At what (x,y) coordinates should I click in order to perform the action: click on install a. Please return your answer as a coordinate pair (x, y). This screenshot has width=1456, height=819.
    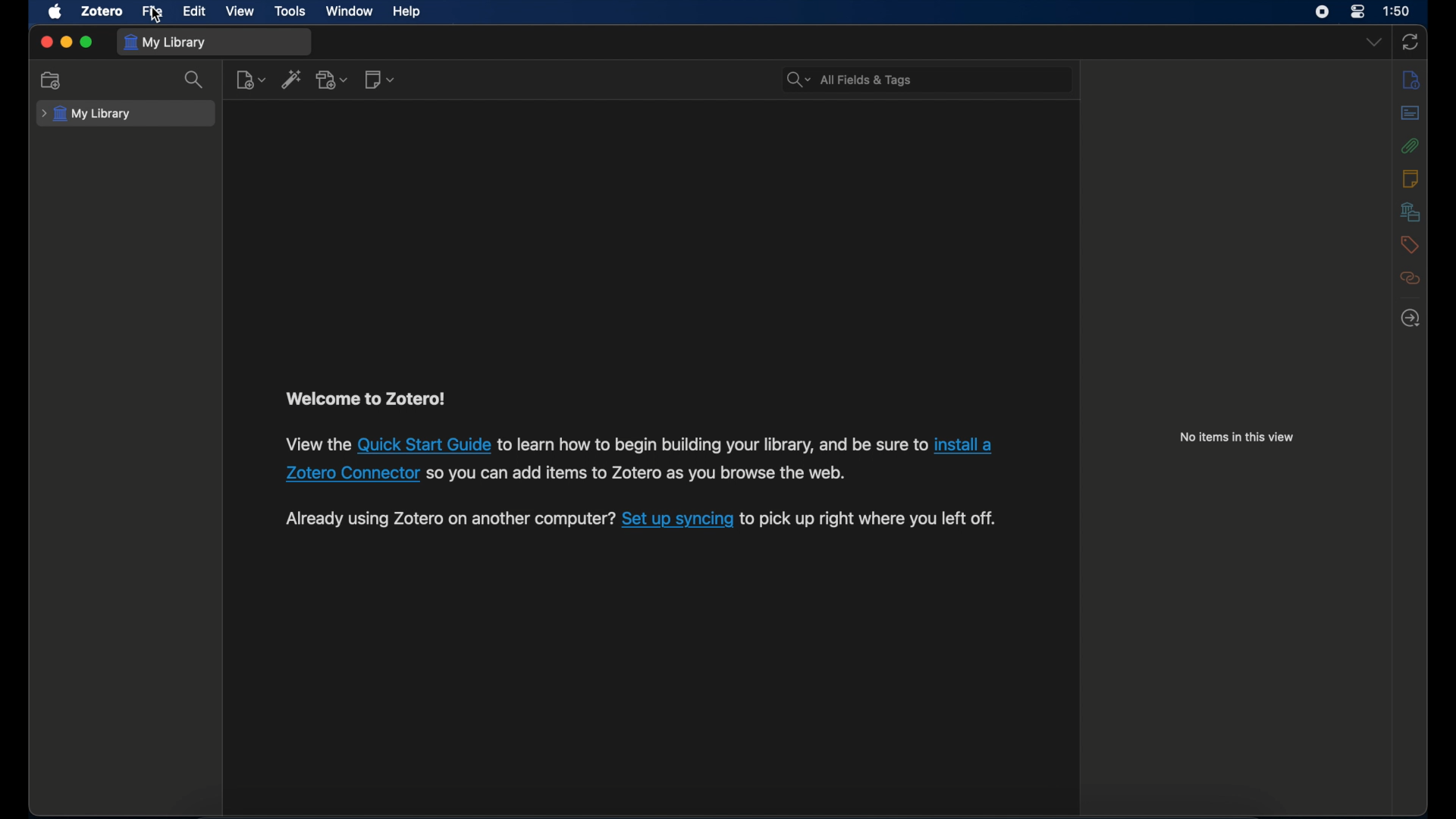
    Looking at the image, I should click on (967, 445).